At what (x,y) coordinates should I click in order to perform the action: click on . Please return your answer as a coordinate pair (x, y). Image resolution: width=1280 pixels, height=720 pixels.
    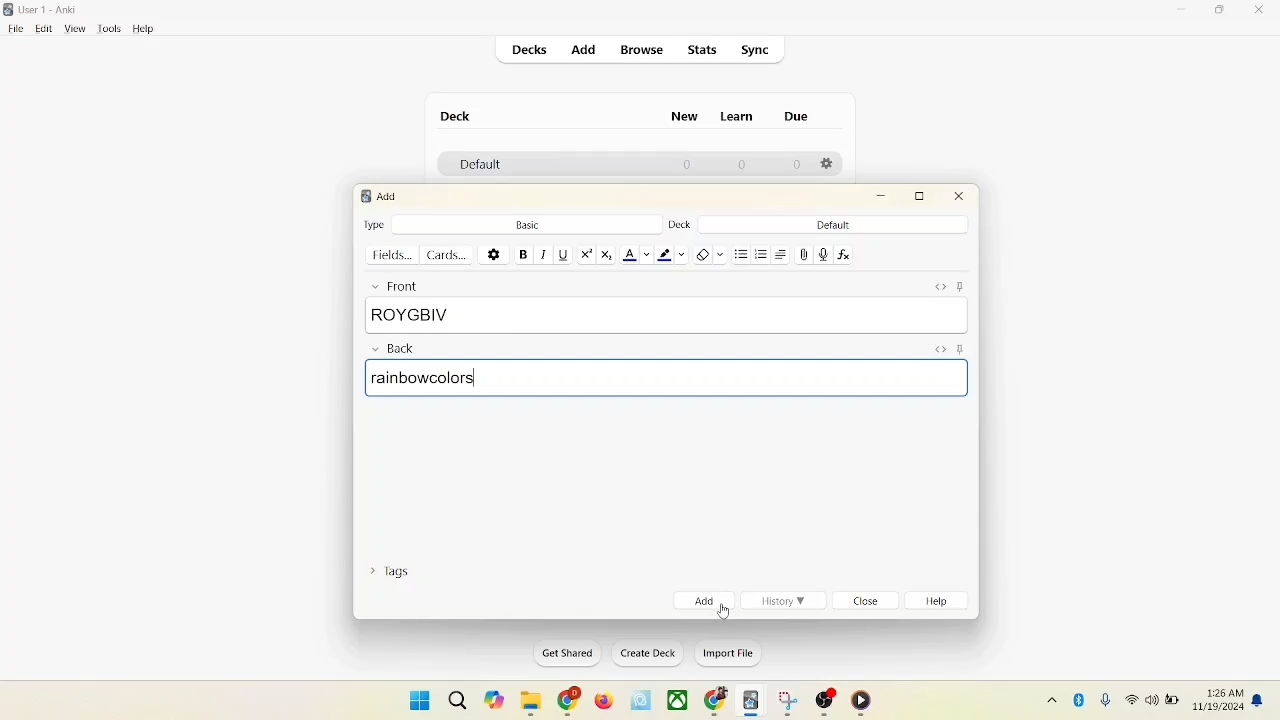
    Looking at the image, I should click on (689, 166).